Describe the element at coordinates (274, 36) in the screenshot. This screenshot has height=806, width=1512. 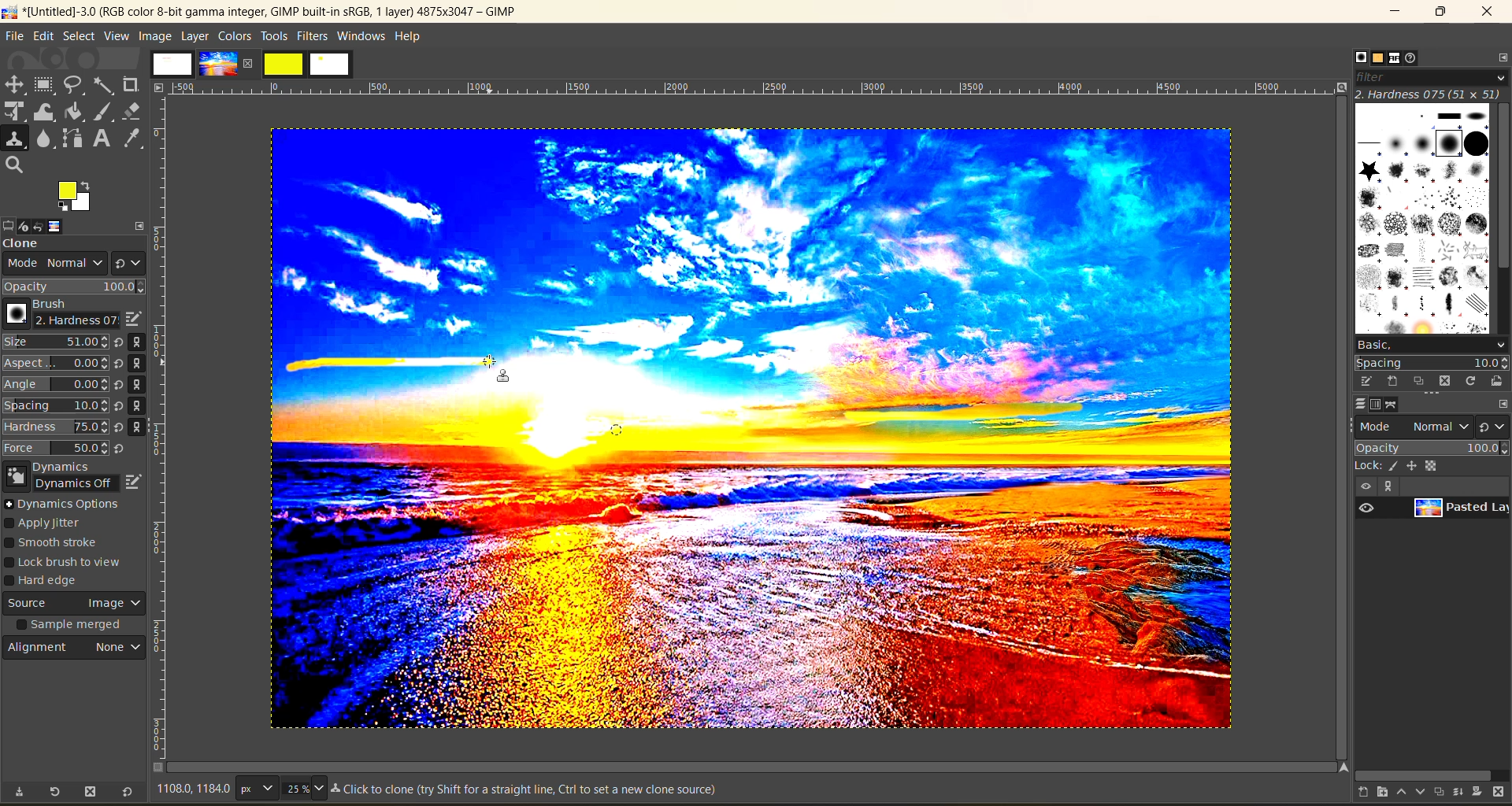
I see `tools` at that location.